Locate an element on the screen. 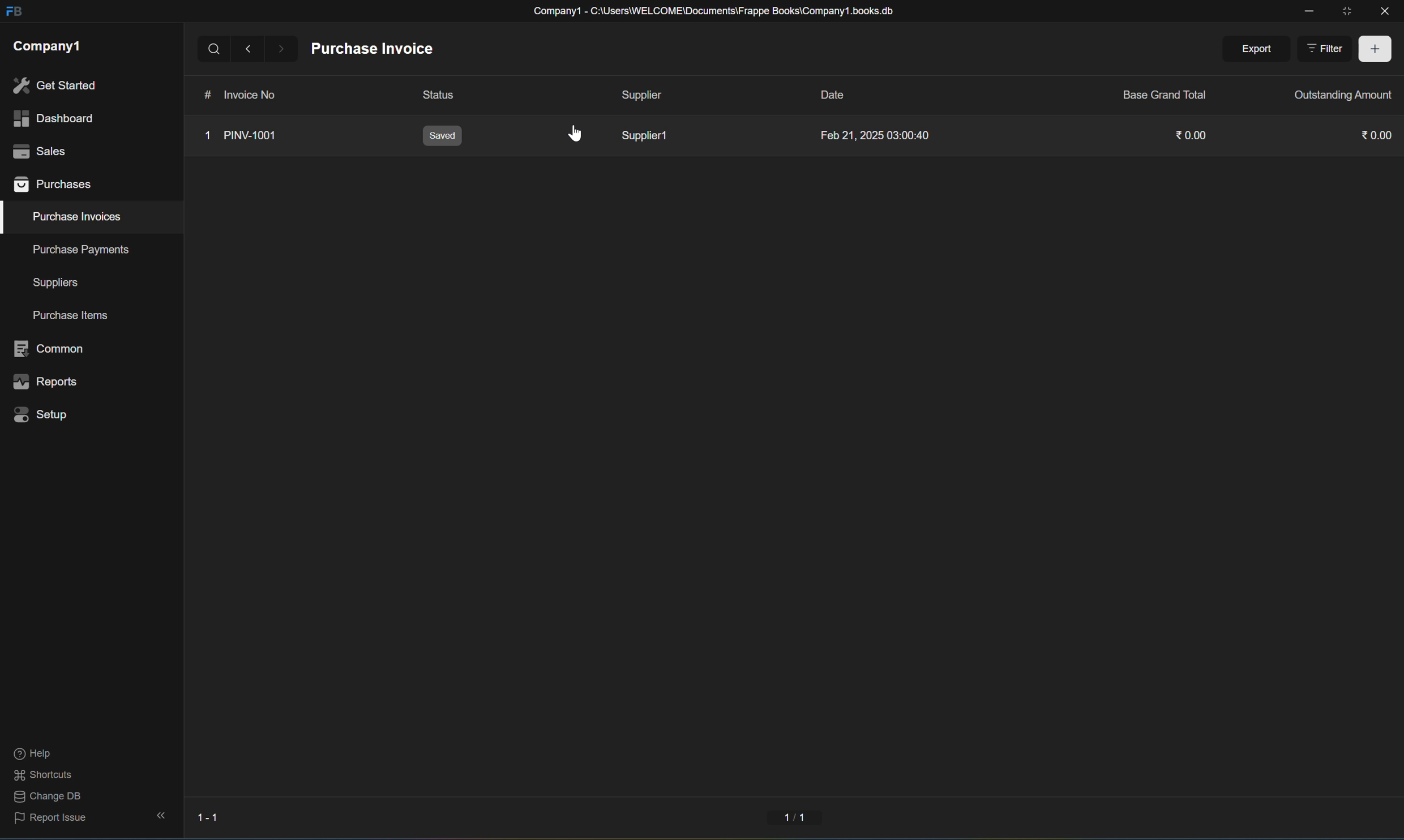  common is located at coordinates (52, 349).